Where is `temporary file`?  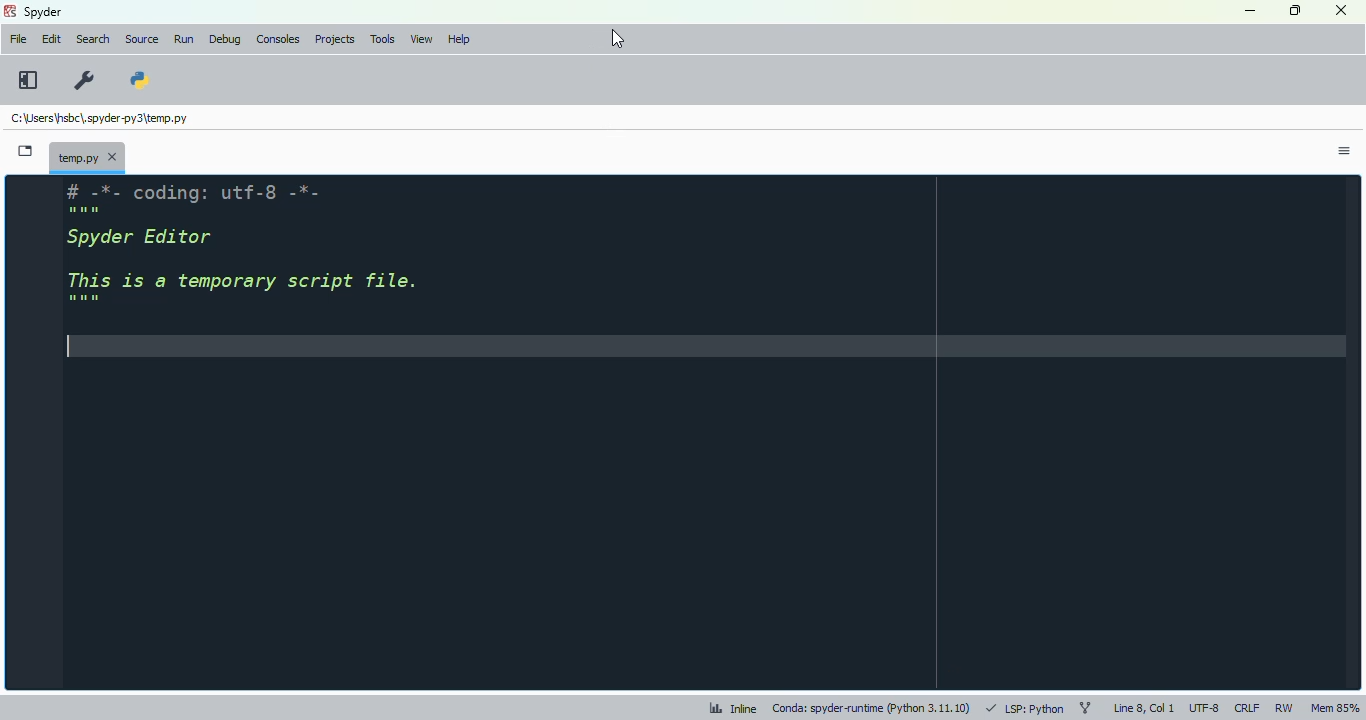 temporary file is located at coordinates (88, 156).